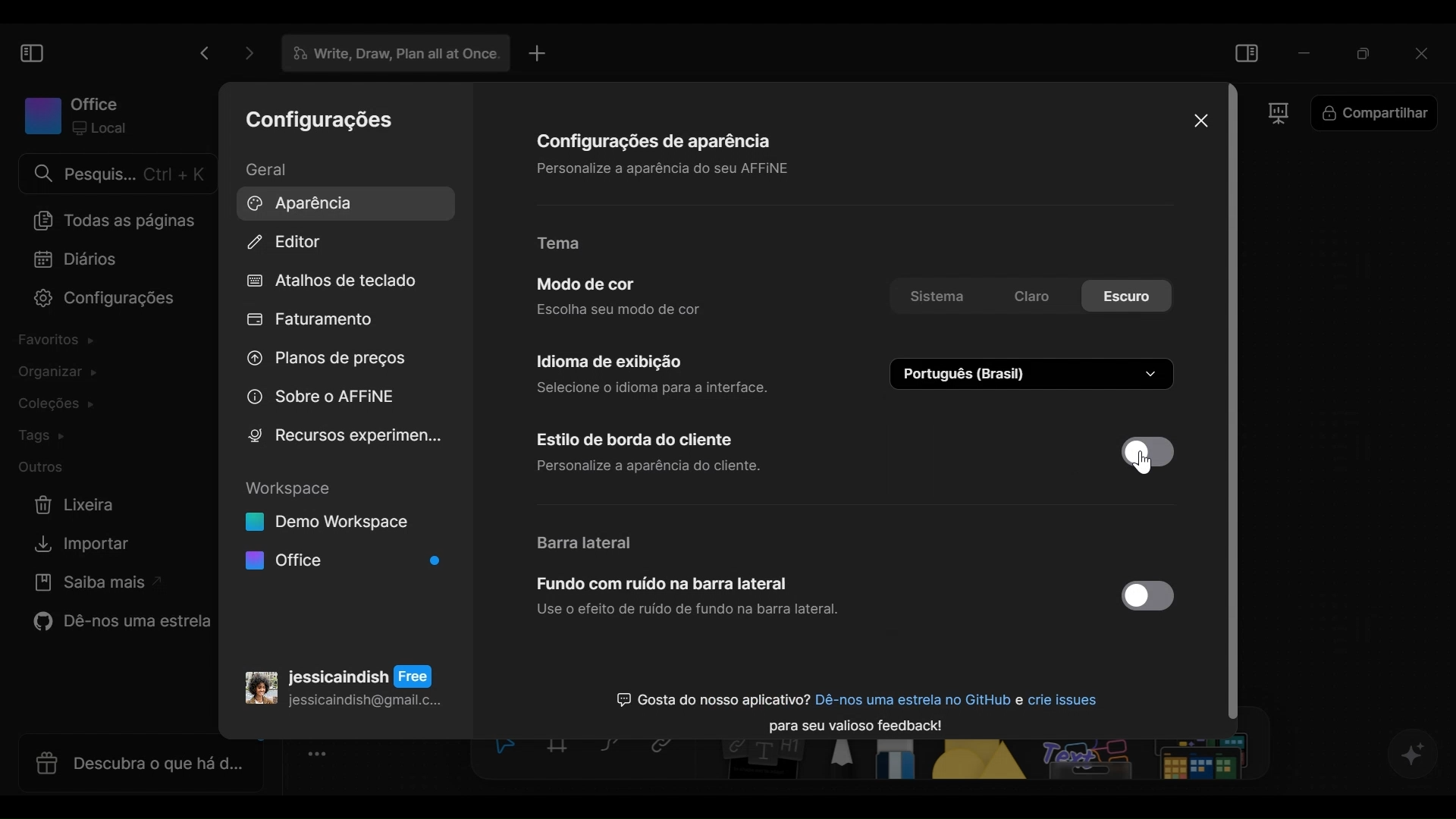  I want to click on Note, so click(761, 761).